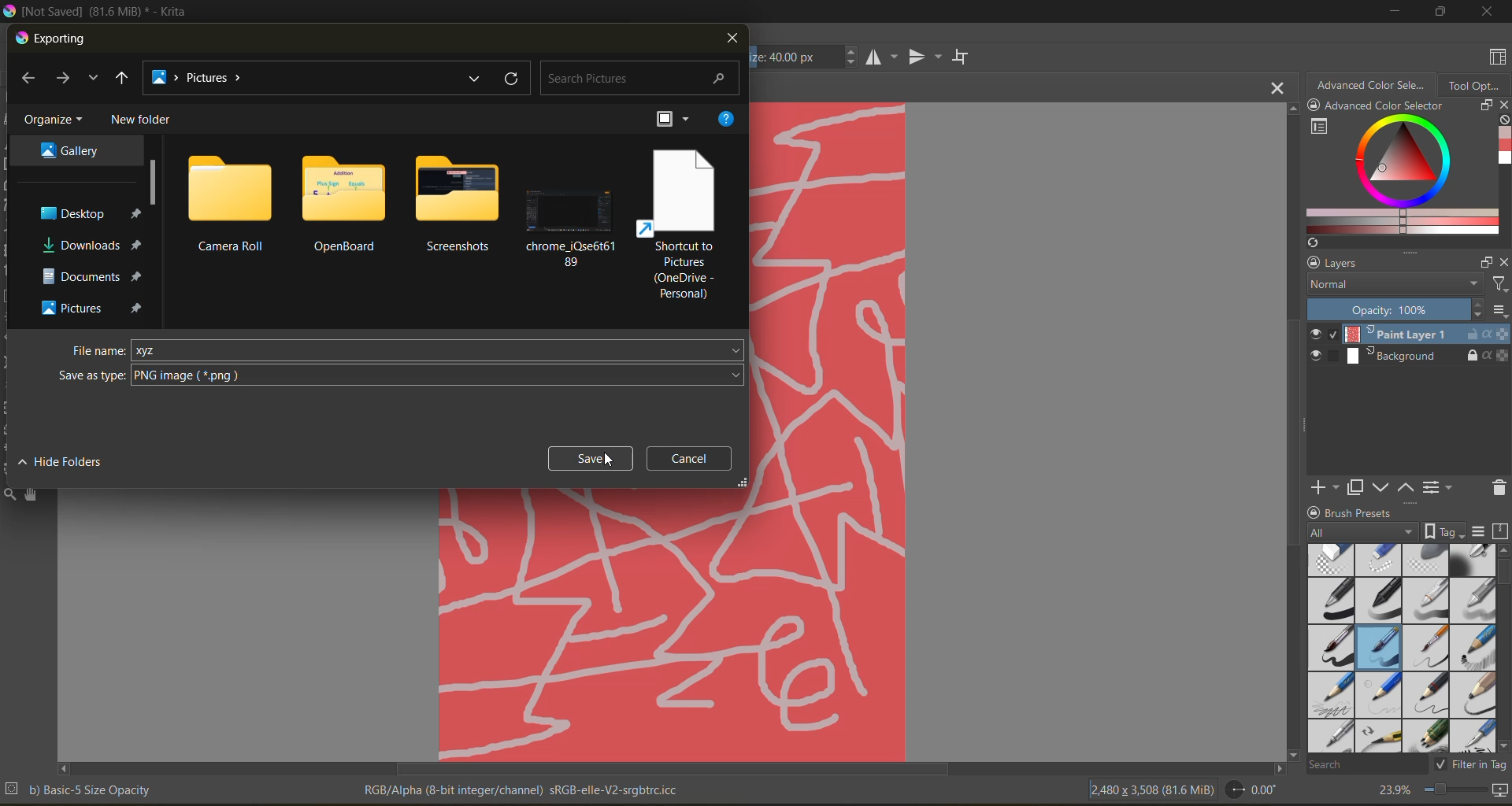 The height and width of the screenshot is (806, 1512). What do you see at coordinates (1503, 648) in the screenshot?
I see `vertical scroll bar` at bounding box center [1503, 648].